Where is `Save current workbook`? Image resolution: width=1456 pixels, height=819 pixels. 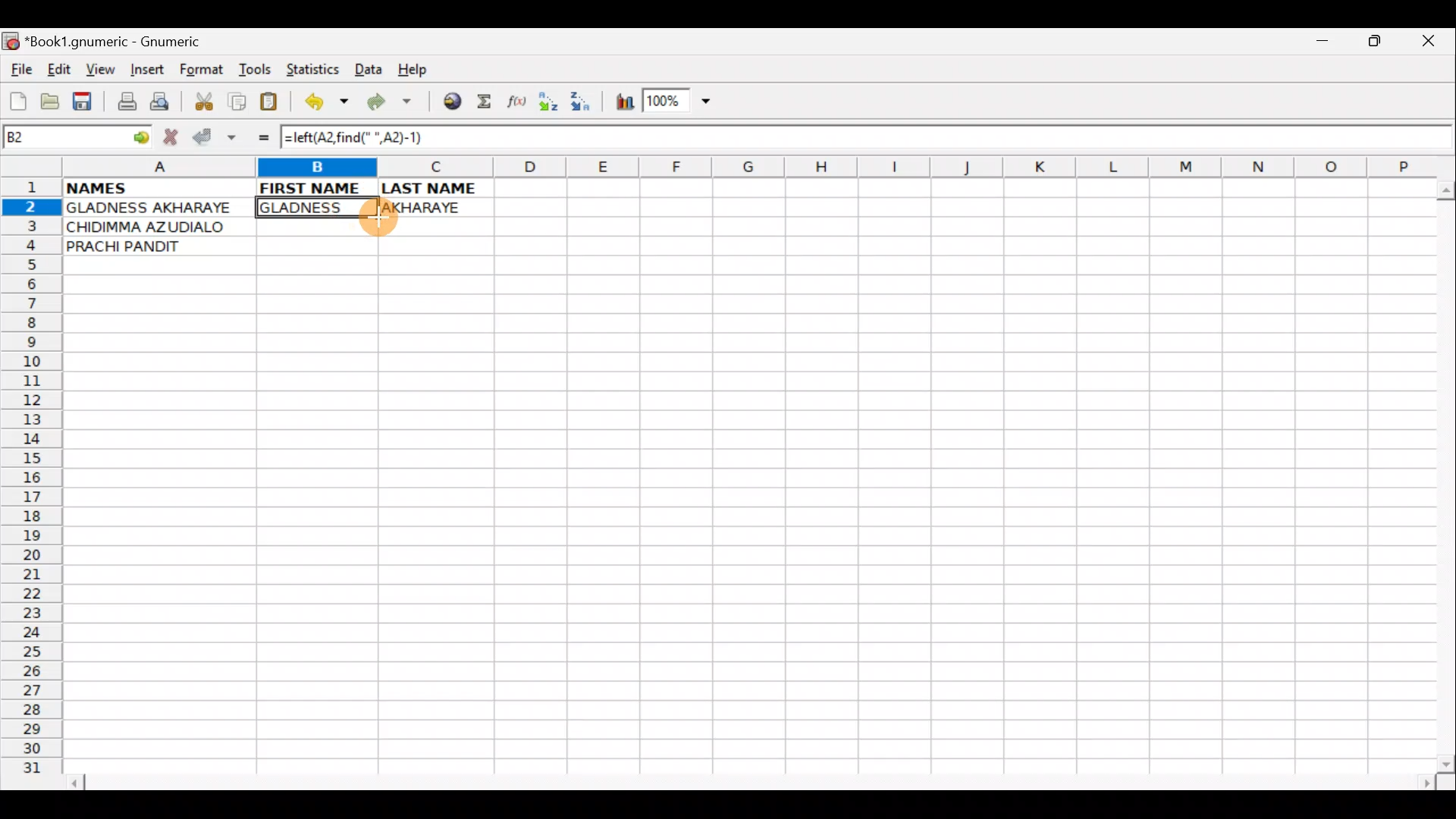 Save current workbook is located at coordinates (86, 102).